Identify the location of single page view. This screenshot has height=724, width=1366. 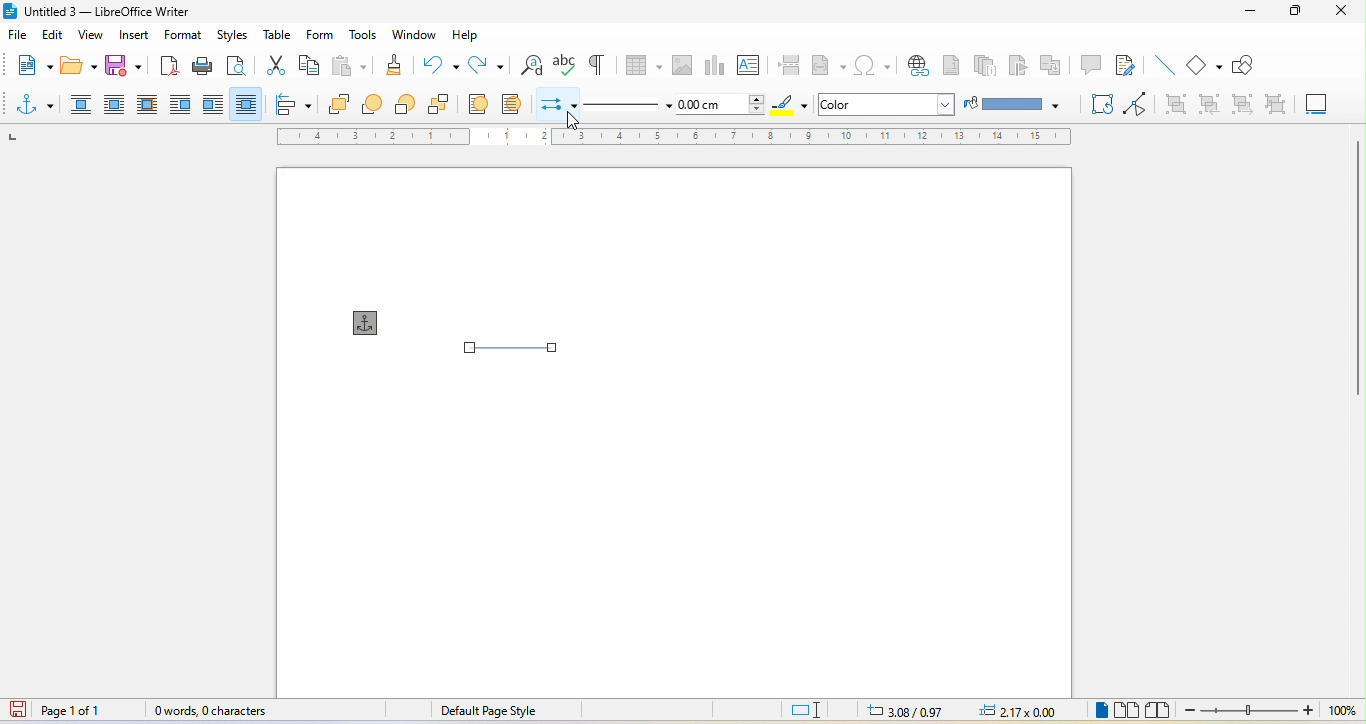
(1098, 712).